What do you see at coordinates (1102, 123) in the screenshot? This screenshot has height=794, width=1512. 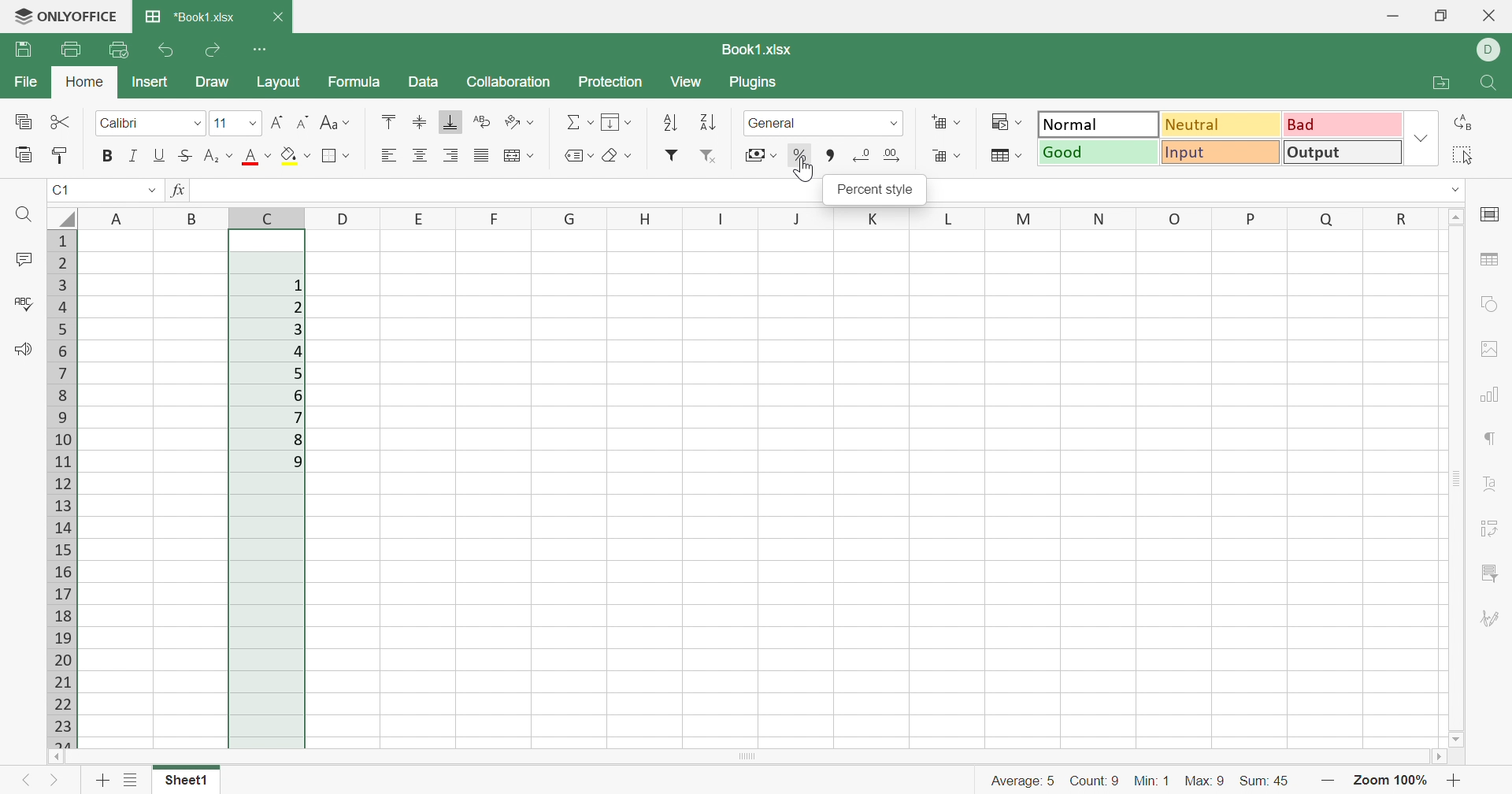 I see `Normal` at bounding box center [1102, 123].